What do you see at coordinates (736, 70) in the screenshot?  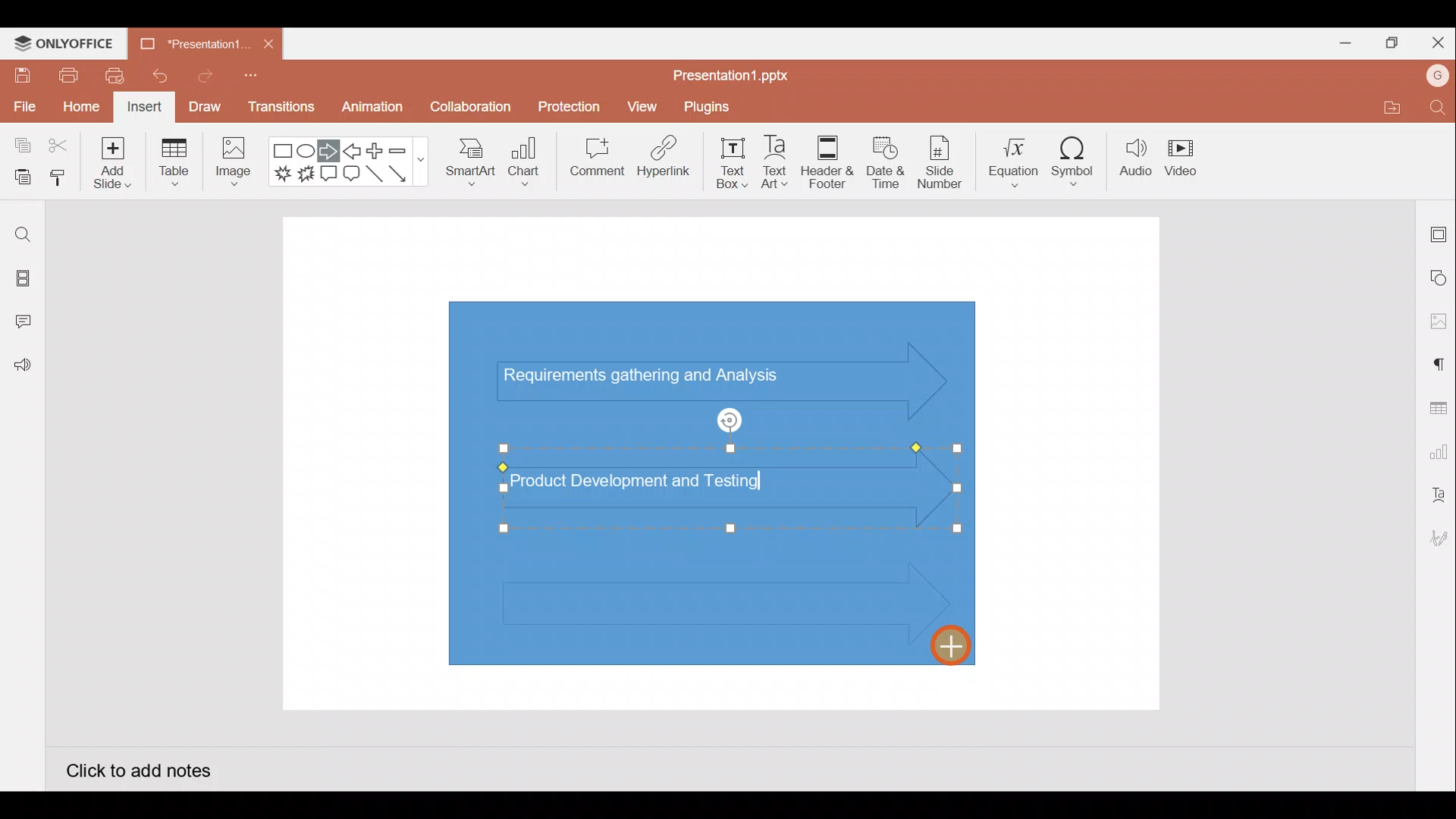 I see `Presentation1.pptx` at bounding box center [736, 70].